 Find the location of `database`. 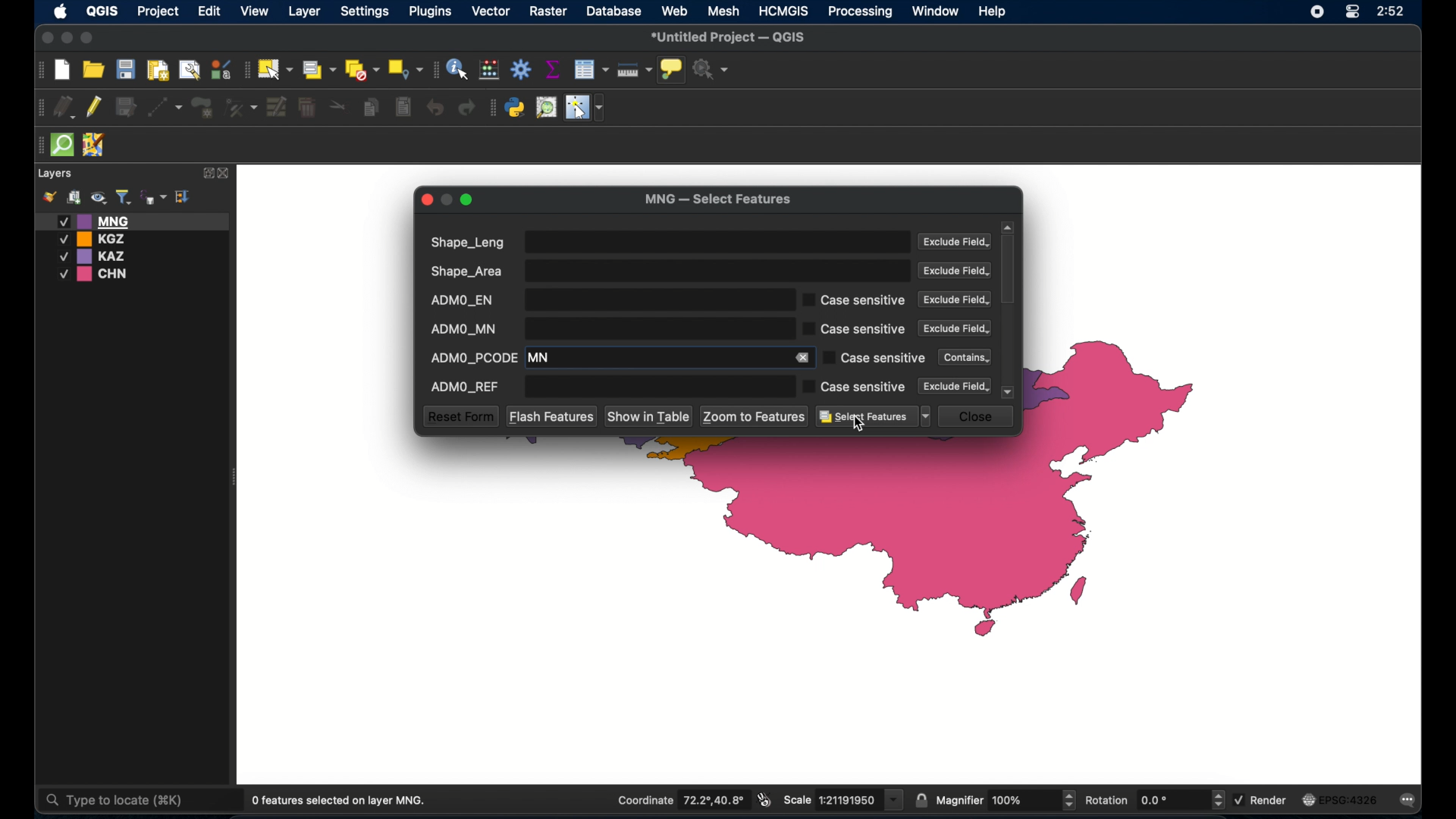

database is located at coordinates (613, 11).